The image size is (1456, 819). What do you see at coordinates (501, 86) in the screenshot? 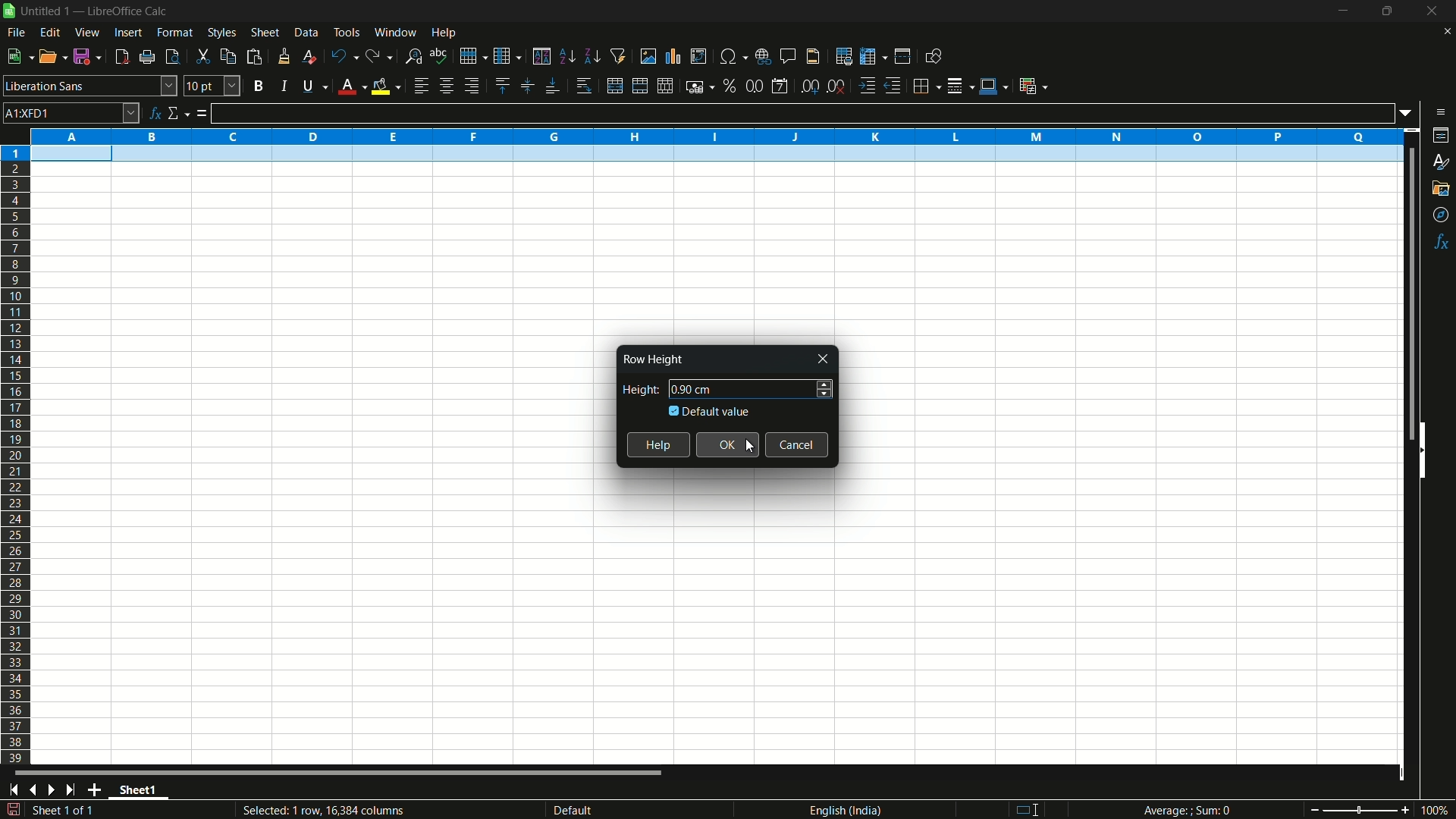
I see `align top` at bounding box center [501, 86].